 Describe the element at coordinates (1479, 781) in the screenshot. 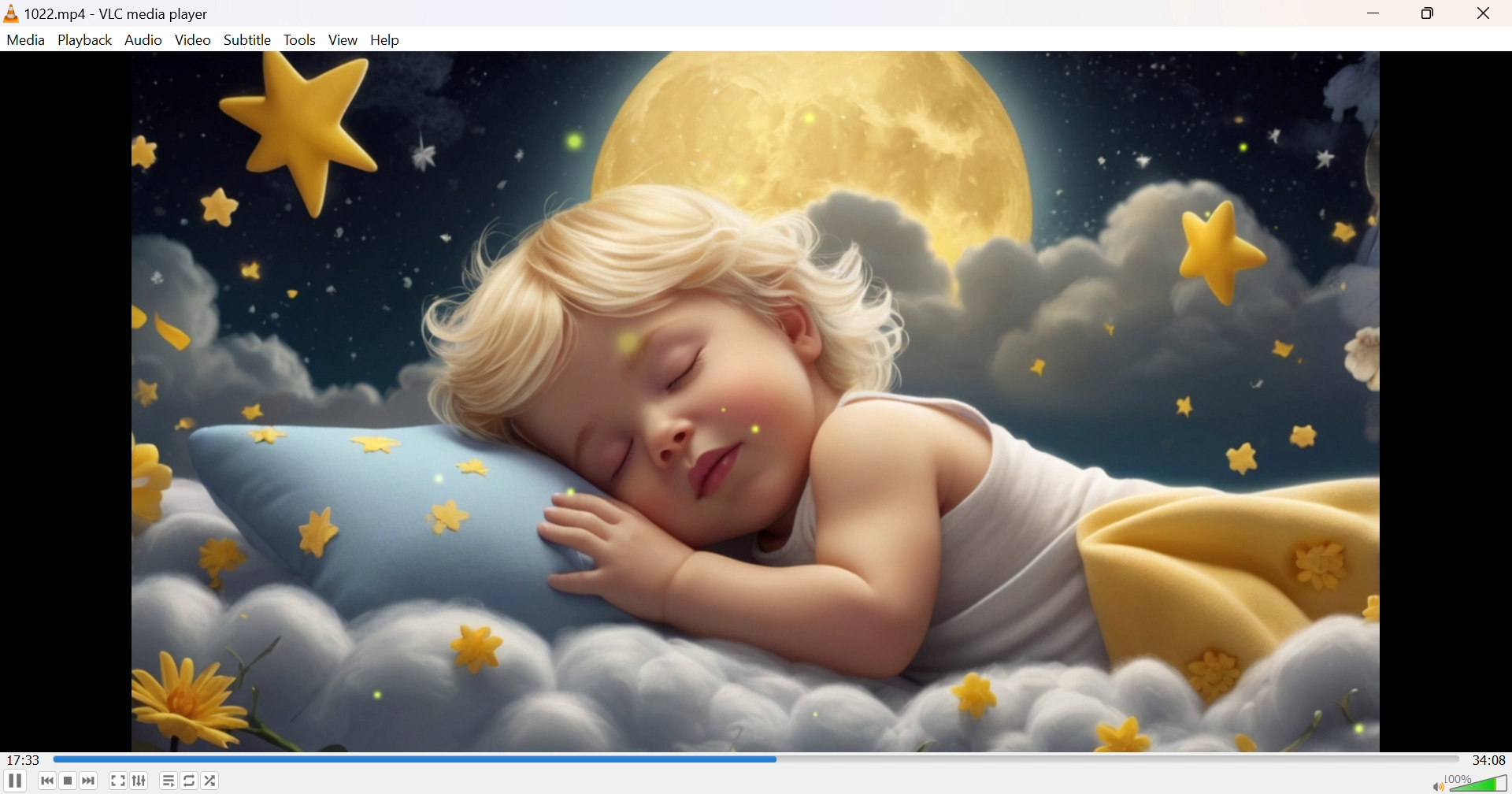

I see `Volume` at that location.